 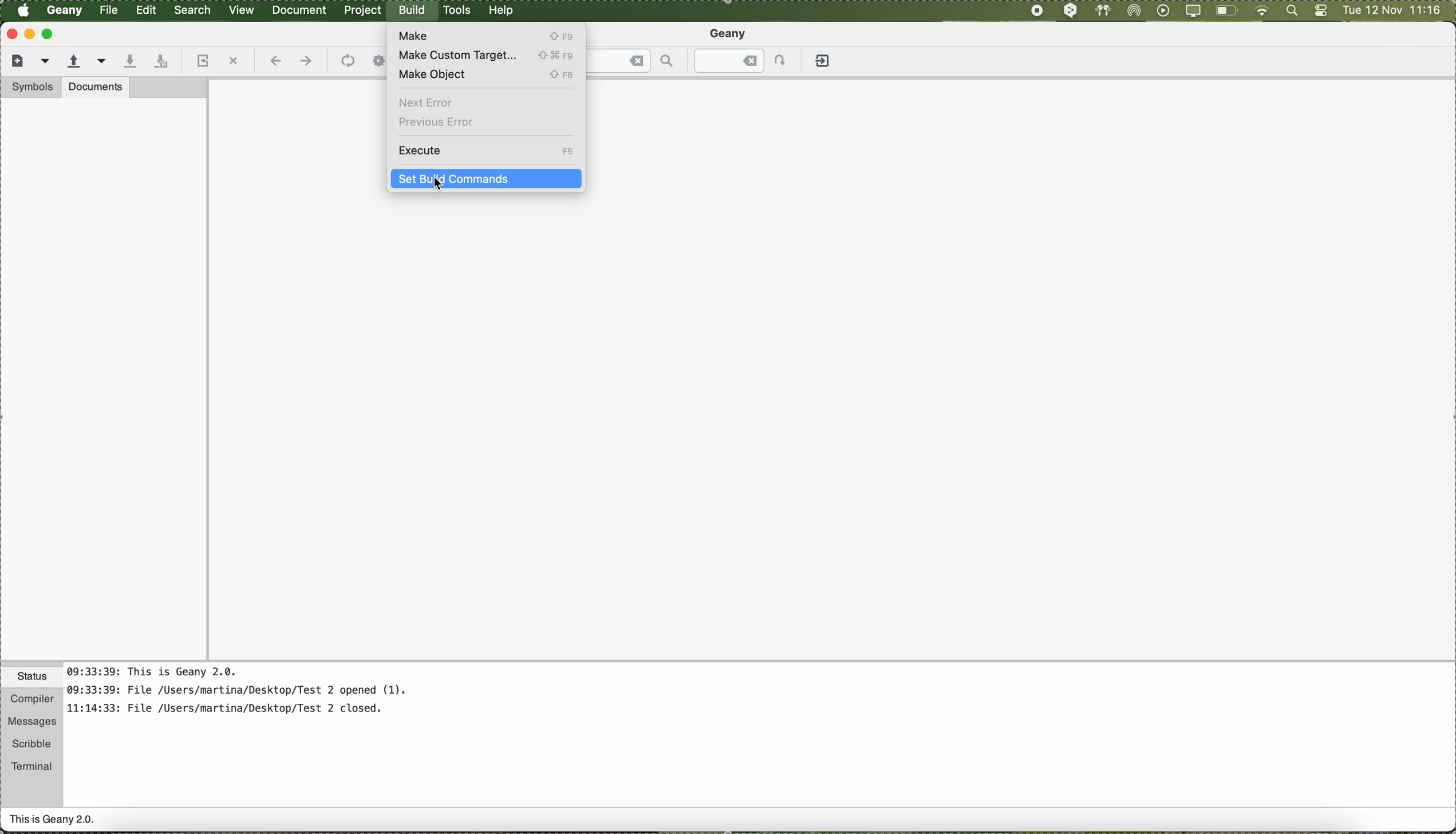 What do you see at coordinates (30, 34) in the screenshot?
I see `minimize` at bounding box center [30, 34].